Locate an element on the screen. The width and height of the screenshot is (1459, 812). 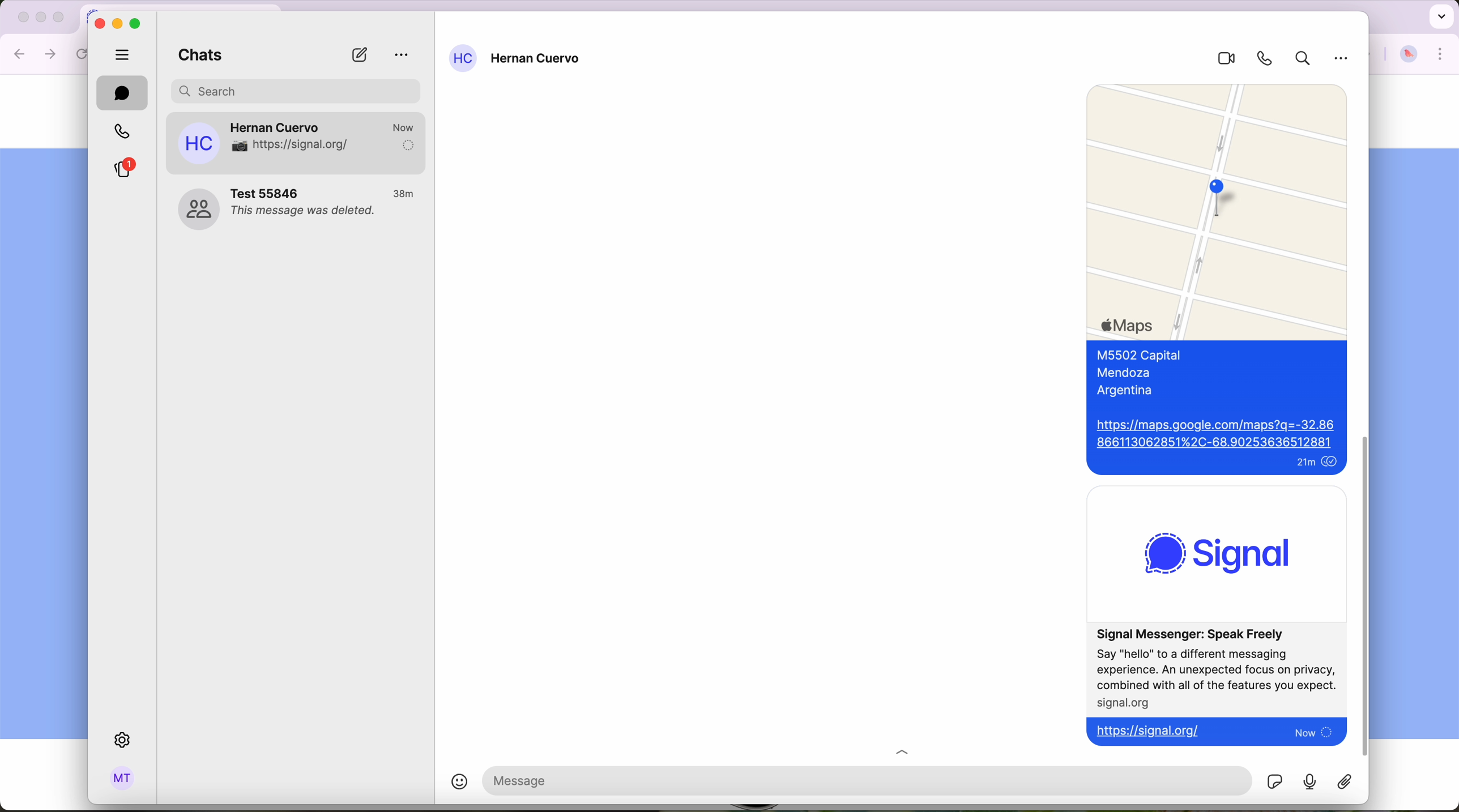
Argentina... is located at coordinates (262, 161).